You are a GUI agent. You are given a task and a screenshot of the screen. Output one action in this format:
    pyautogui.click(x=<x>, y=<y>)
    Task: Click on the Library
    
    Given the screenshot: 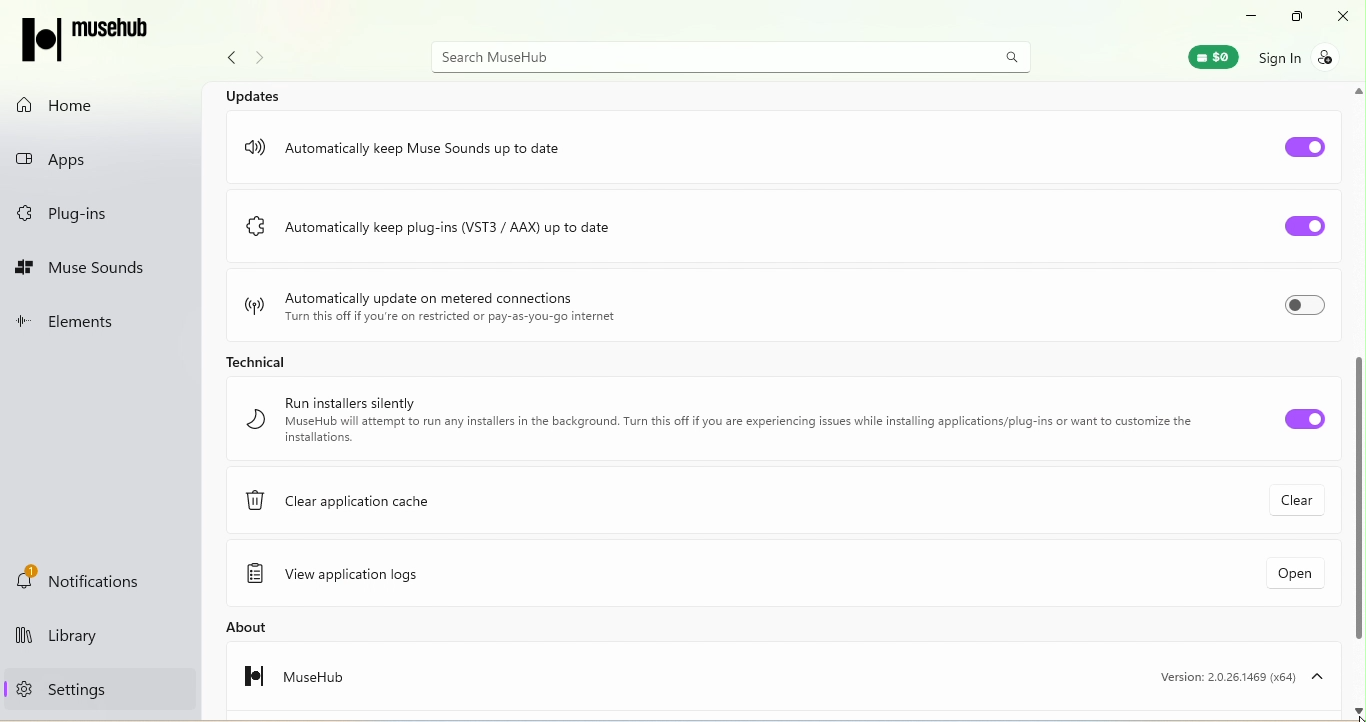 What is the action you would take?
    pyautogui.click(x=90, y=639)
    